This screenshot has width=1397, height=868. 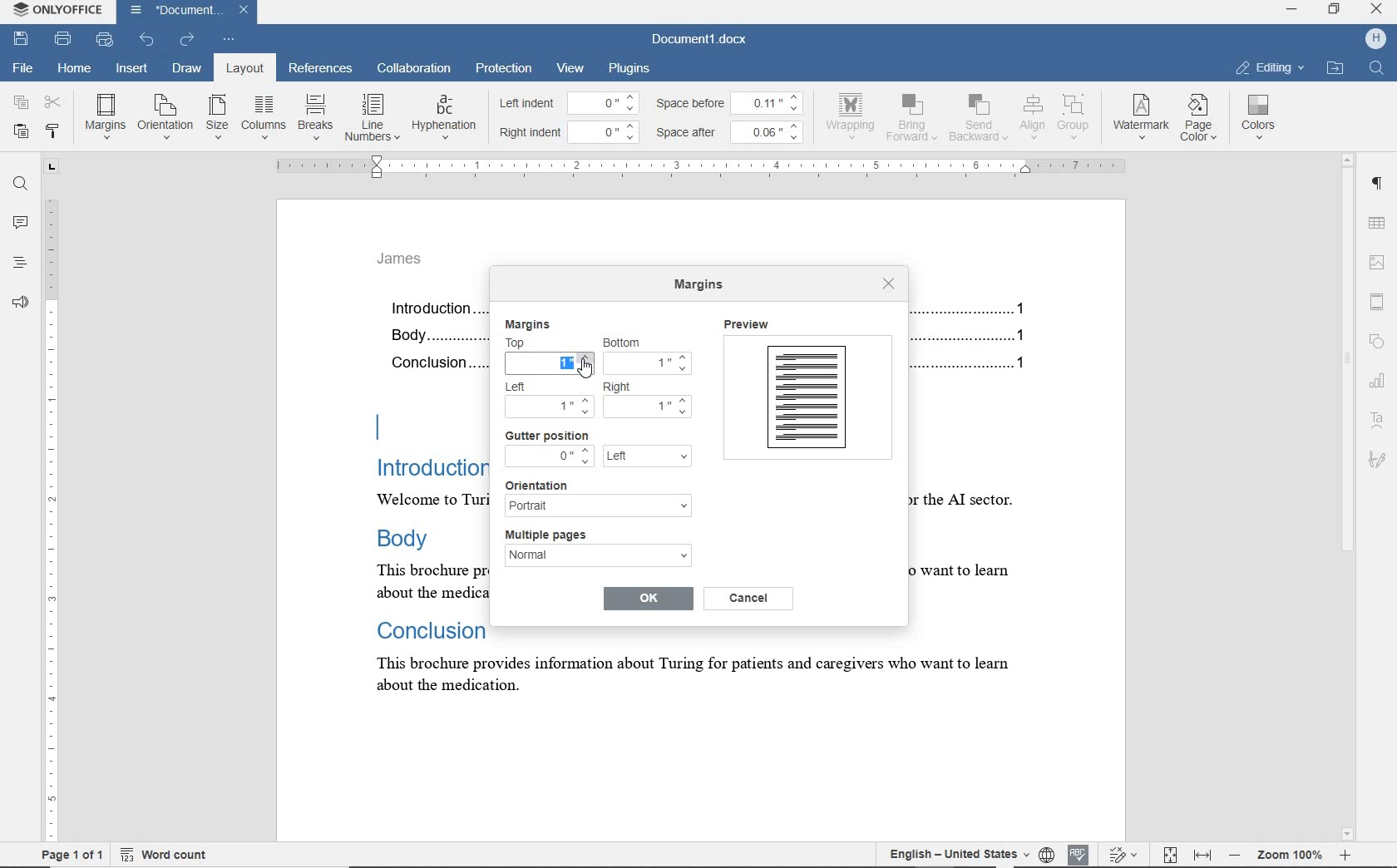 I want to click on copy, so click(x=22, y=101).